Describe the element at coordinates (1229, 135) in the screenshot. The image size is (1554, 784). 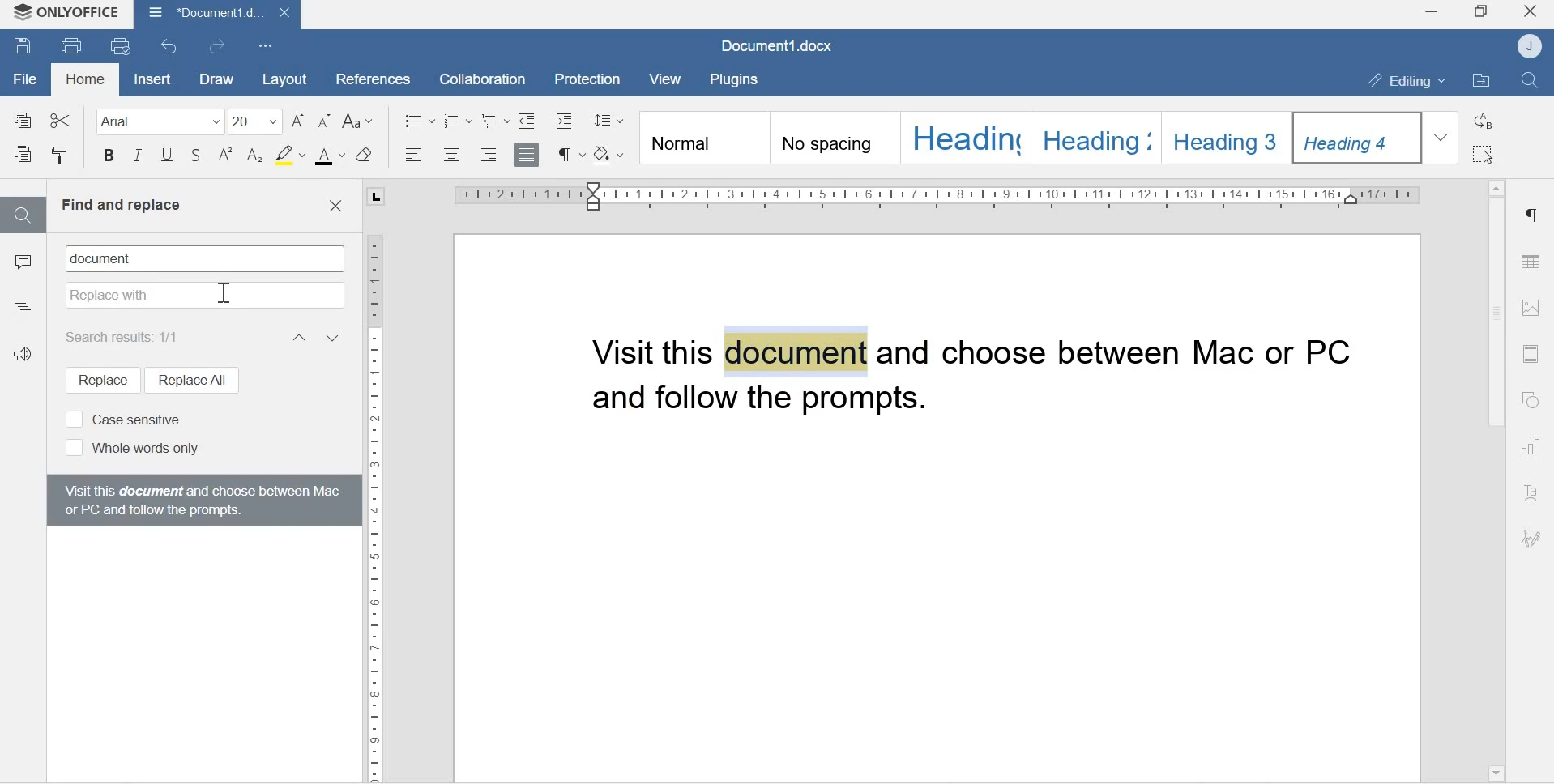
I see `Heading 3` at that location.